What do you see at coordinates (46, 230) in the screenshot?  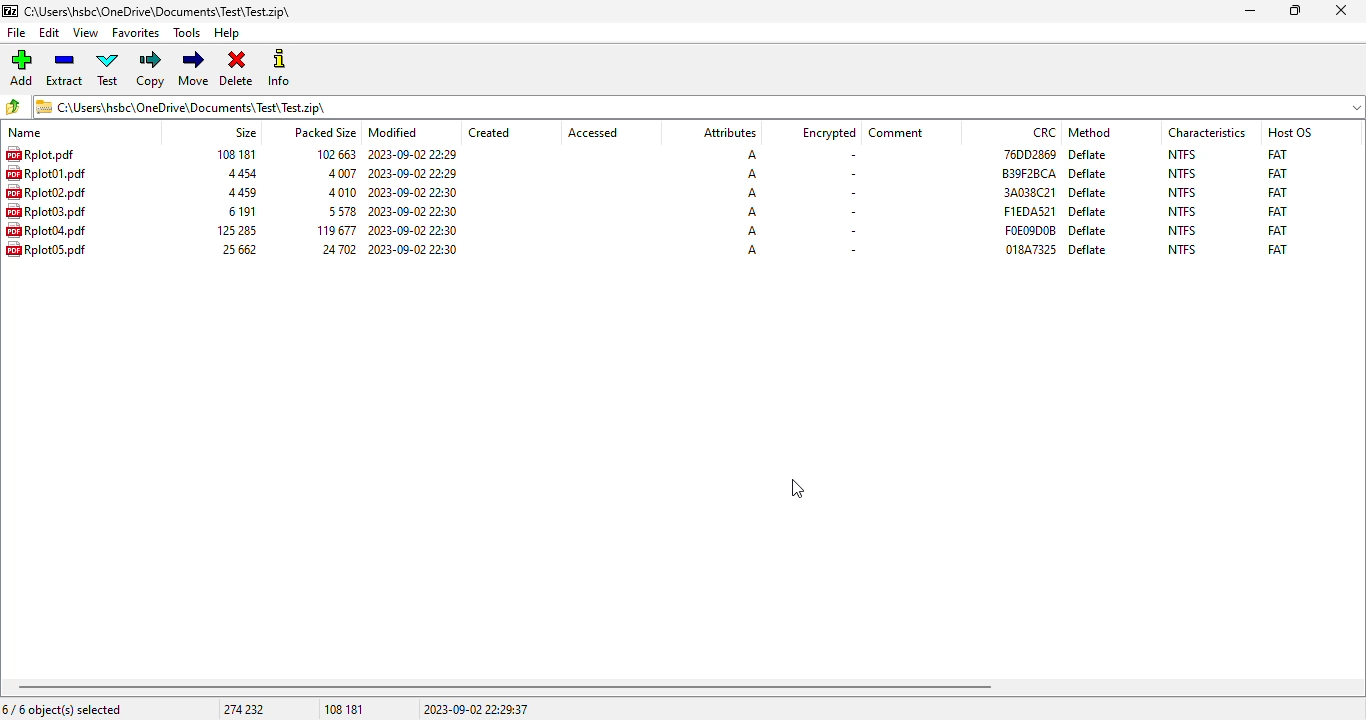 I see `file` at bounding box center [46, 230].